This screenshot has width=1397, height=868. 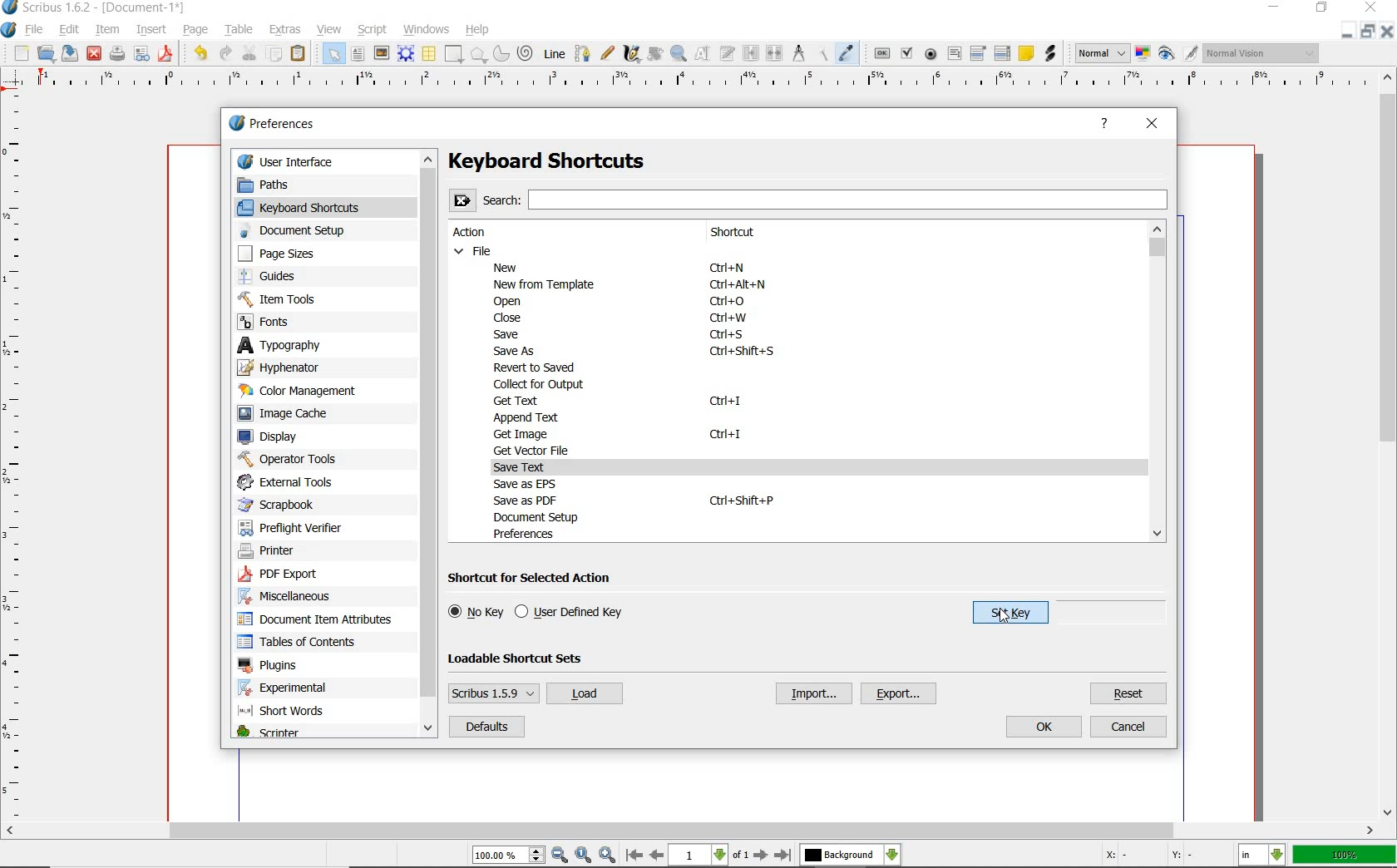 I want to click on unlink text frames, so click(x=774, y=53).